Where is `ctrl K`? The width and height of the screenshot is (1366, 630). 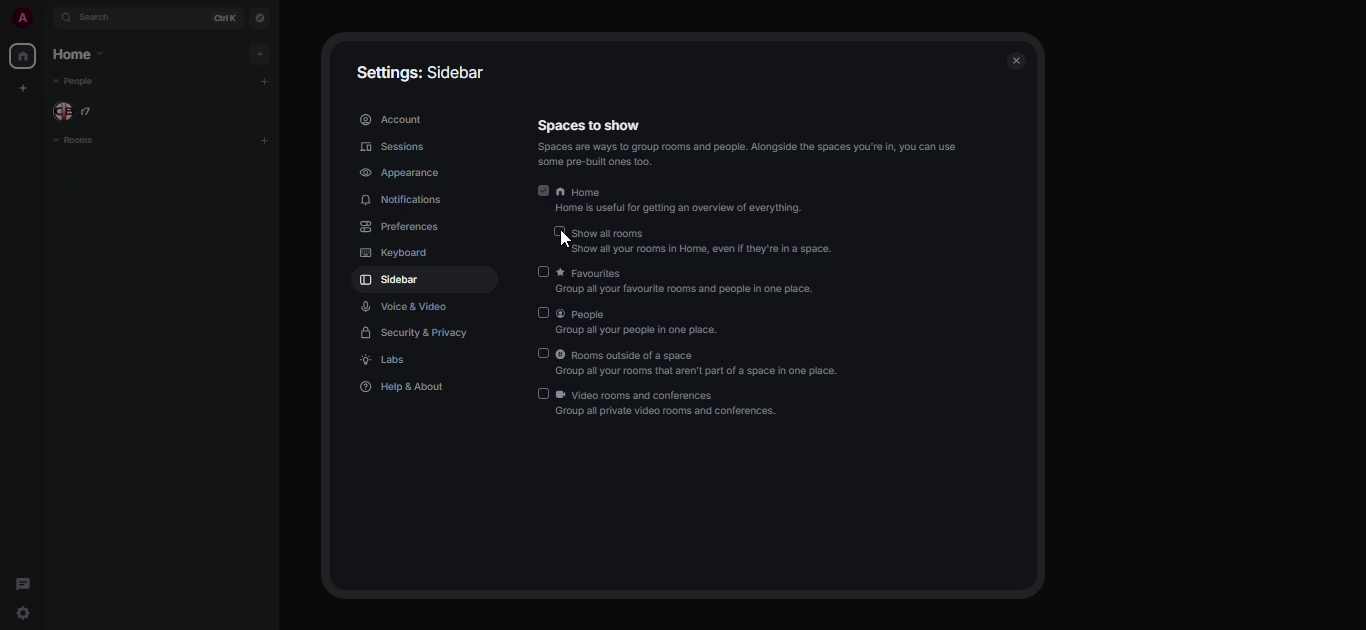
ctrl K is located at coordinates (221, 17).